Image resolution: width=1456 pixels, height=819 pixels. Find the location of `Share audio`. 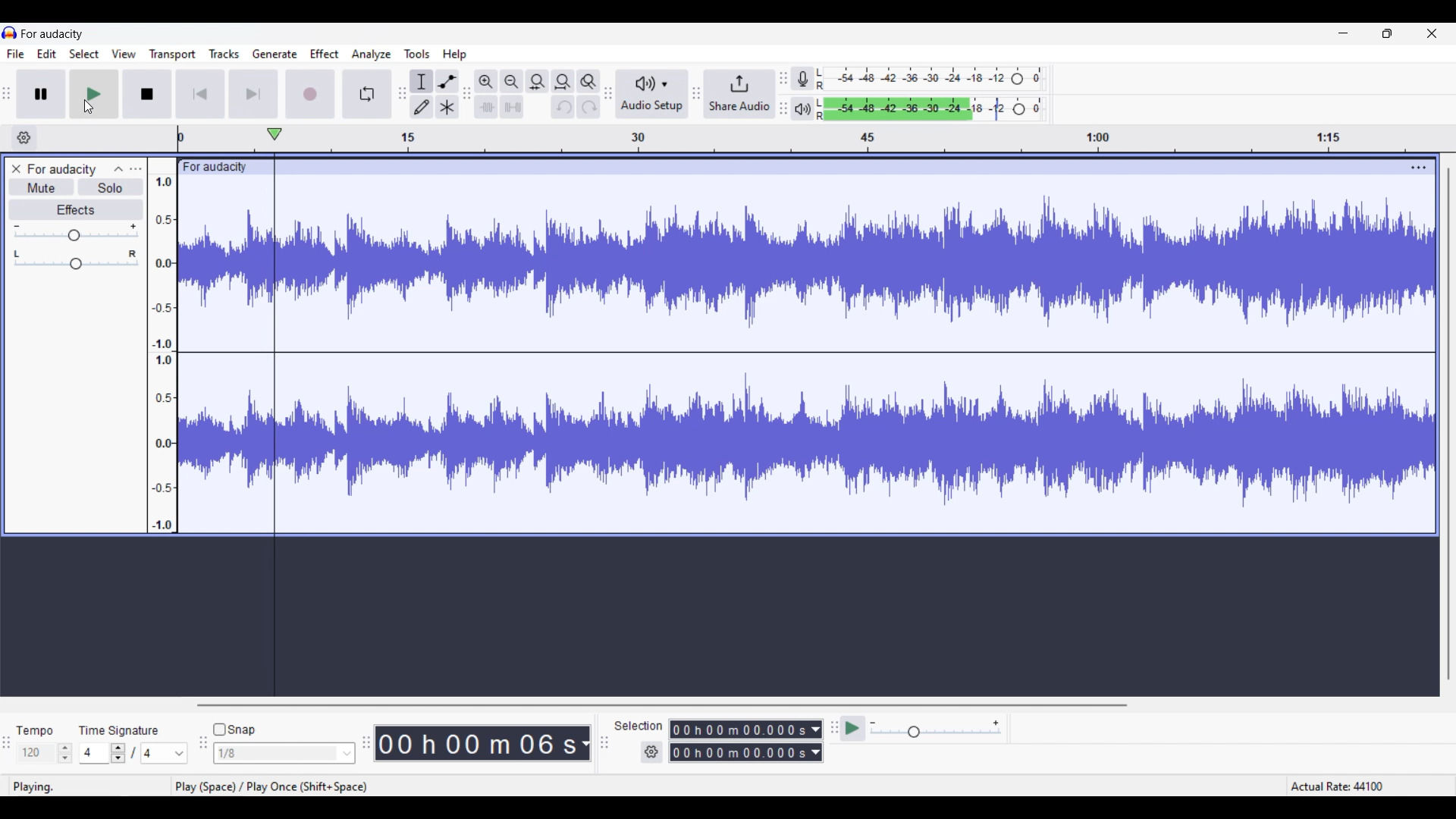

Share audio is located at coordinates (739, 94).